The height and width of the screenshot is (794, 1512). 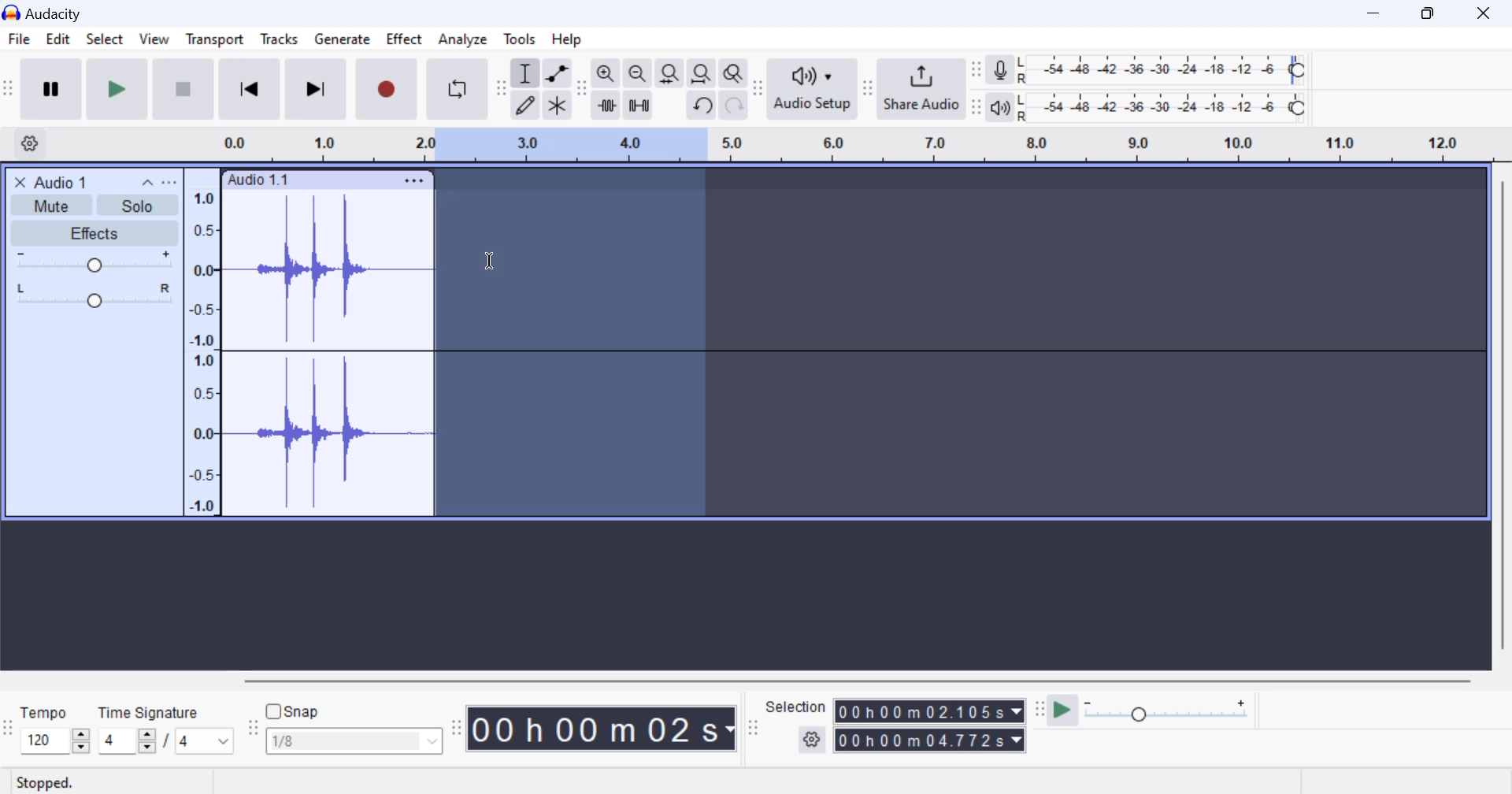 What do you see at coordinates (356, 744) in the screenshot?
I see `Snap options` at bounding box center [356, 744].